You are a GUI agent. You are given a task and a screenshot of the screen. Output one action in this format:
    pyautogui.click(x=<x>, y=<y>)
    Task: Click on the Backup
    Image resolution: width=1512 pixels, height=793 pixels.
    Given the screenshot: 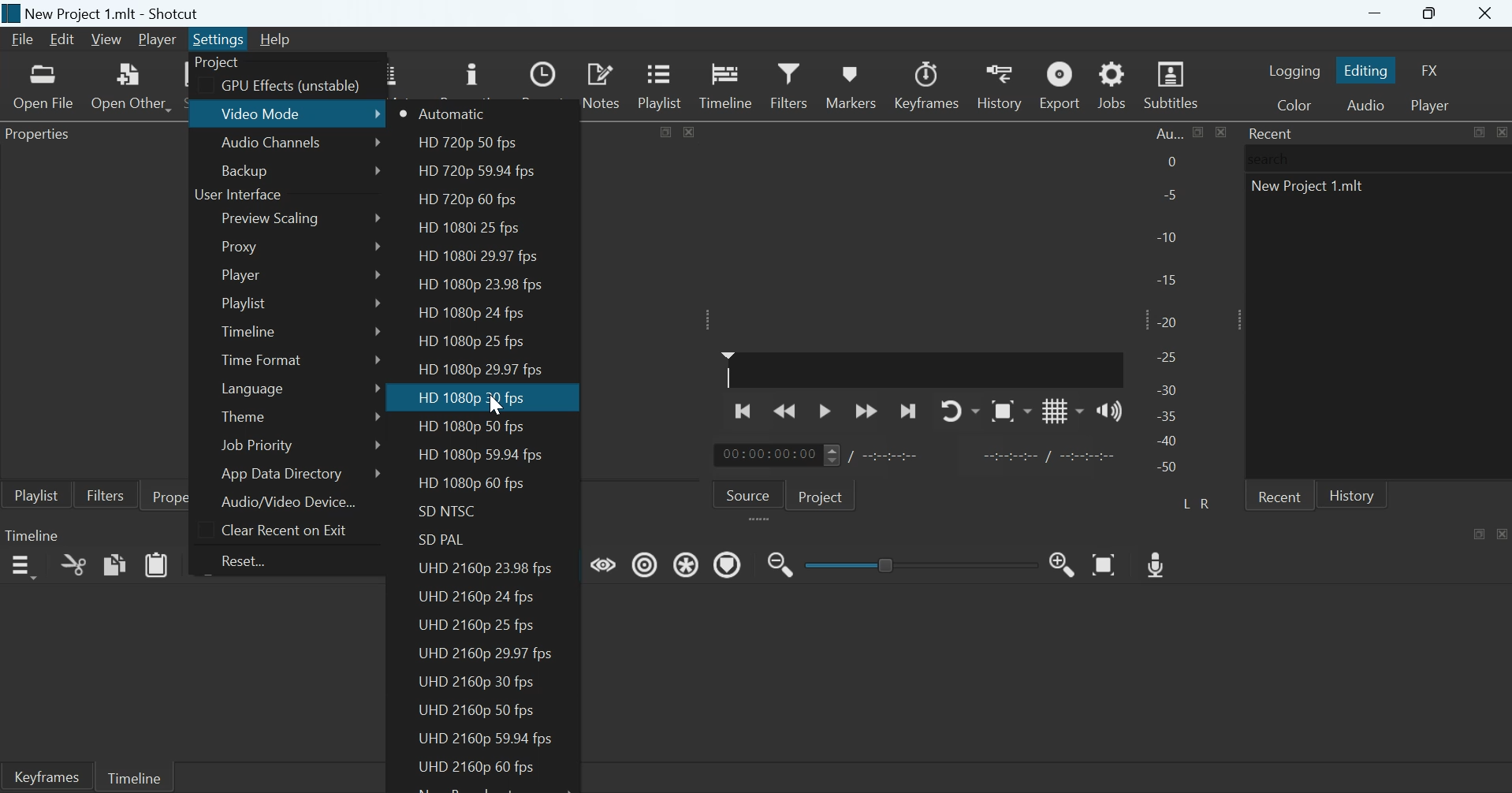 What is the action you would take?
    pyautogui.click(x=244, y=170)
    